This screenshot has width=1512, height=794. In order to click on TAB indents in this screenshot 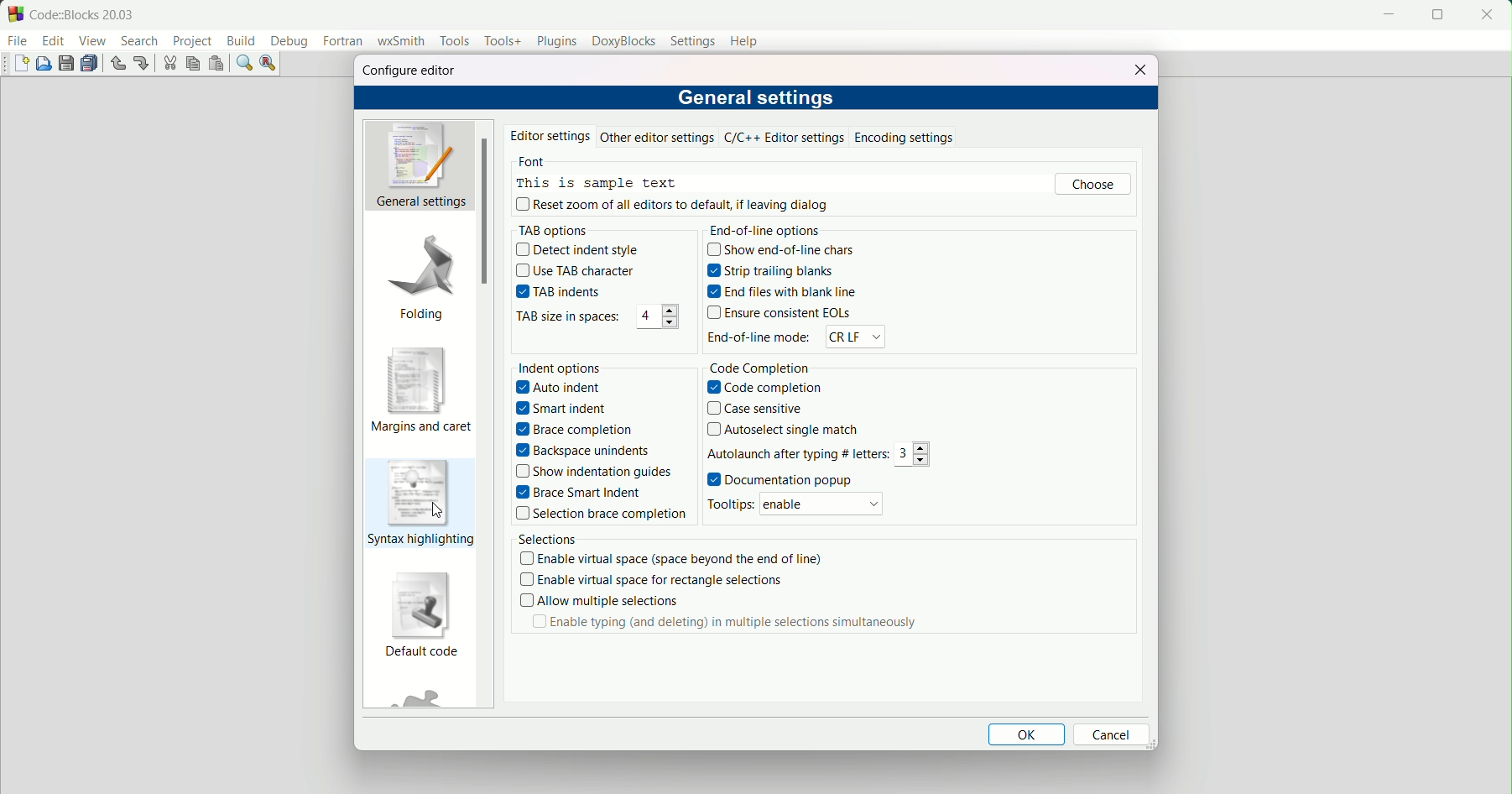, I will do `click(558, 290)`.